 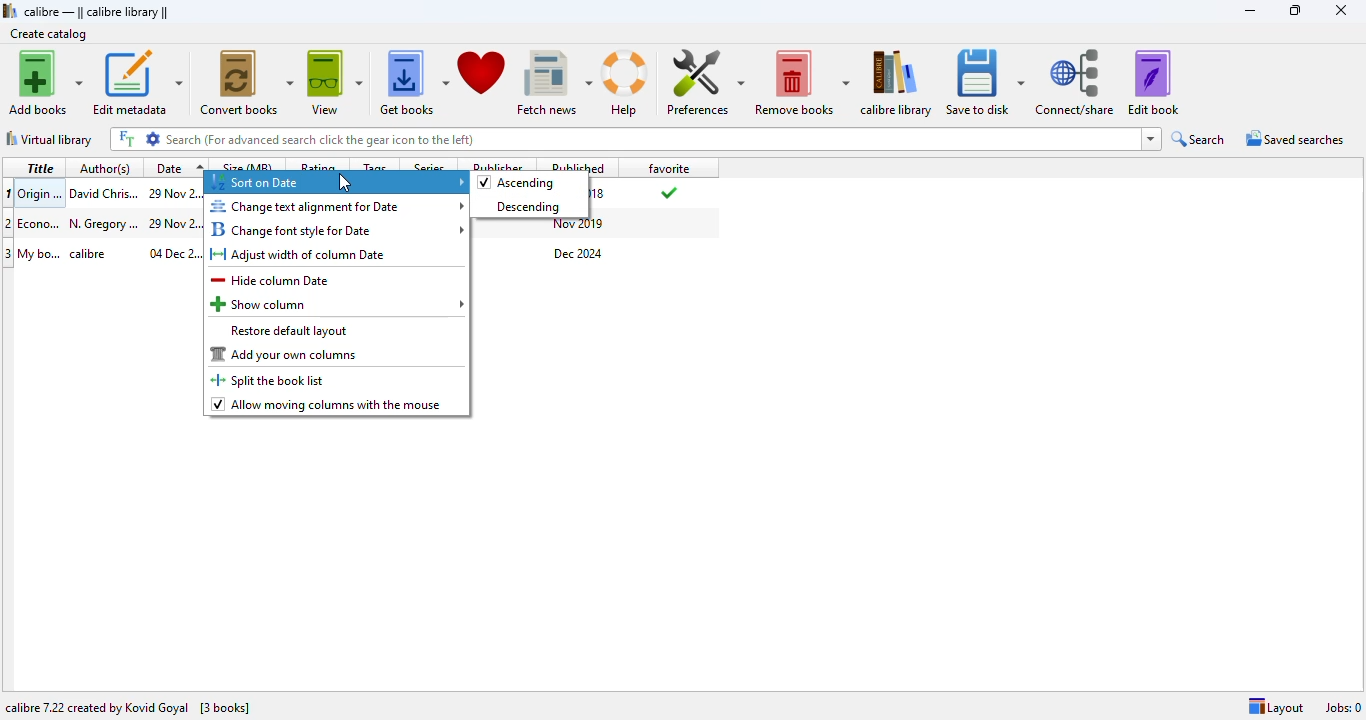 I want to click on FT, so click(x=126, y=139).